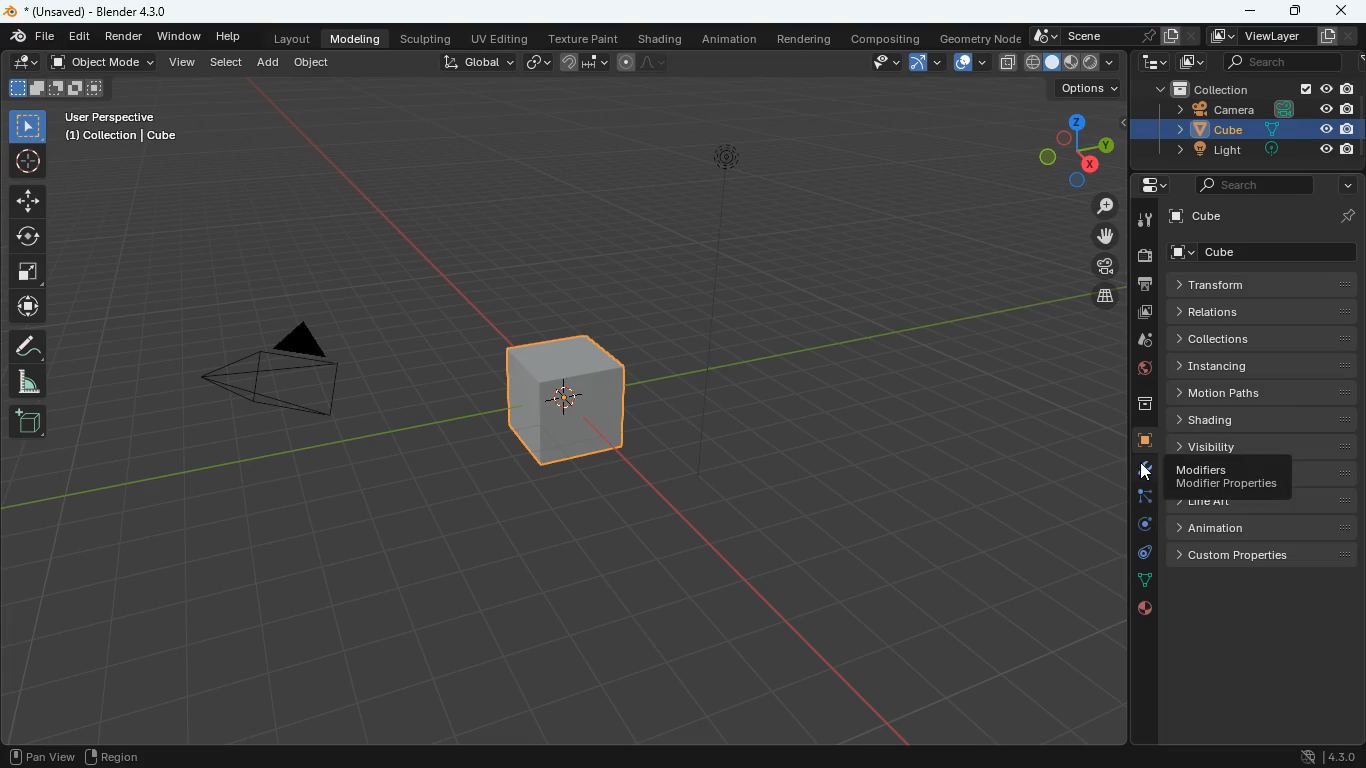 The height and width of the screenshot is (768, 1366). Describe the element at coordinates (584, 38) in the screenshot. I see `texture paint` at that location.